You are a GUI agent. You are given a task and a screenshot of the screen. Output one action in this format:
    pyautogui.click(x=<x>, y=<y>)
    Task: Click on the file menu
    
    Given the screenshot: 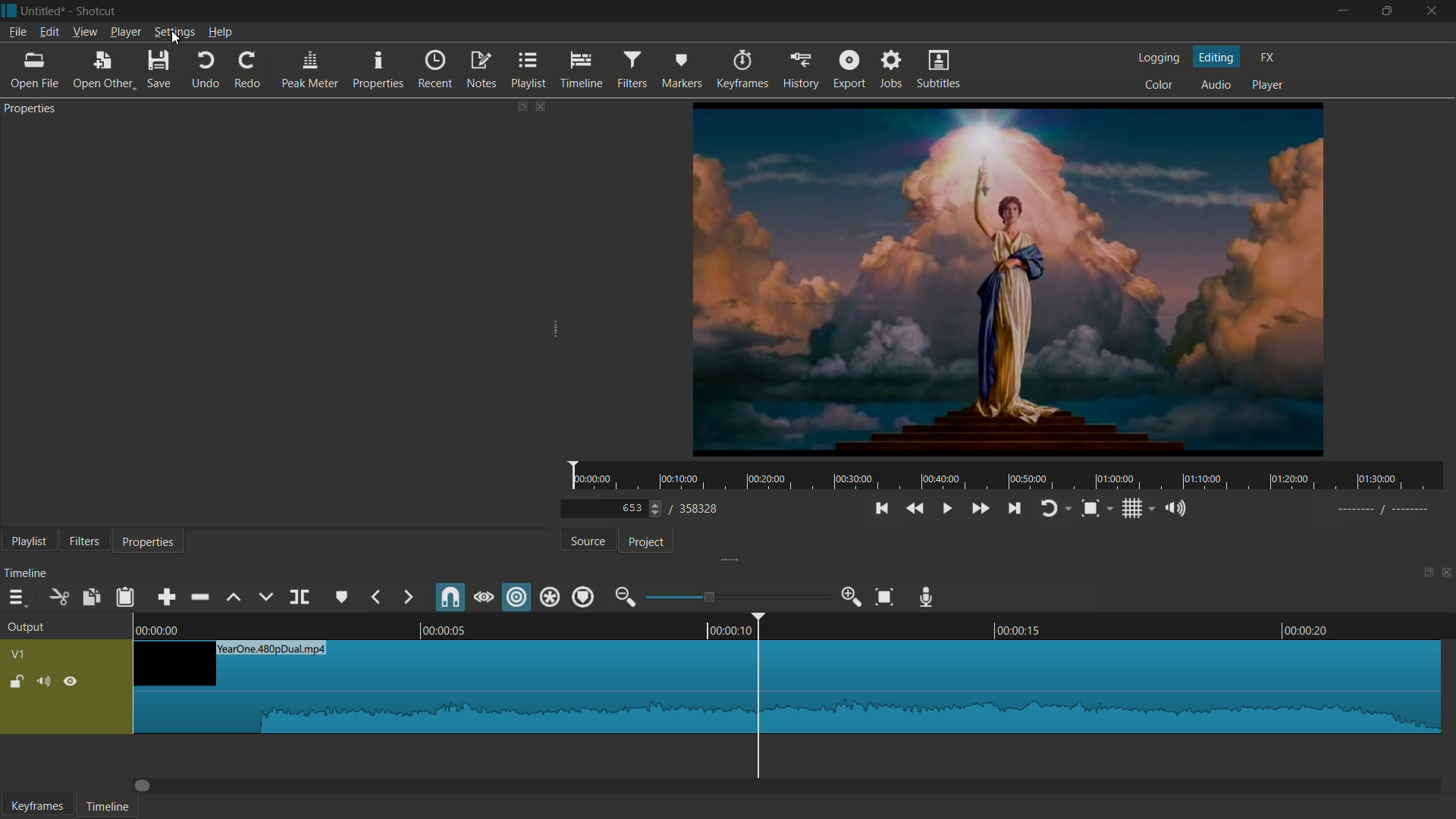 What is the action you would take?
    pyautogui.click(x=18, y=32)
    